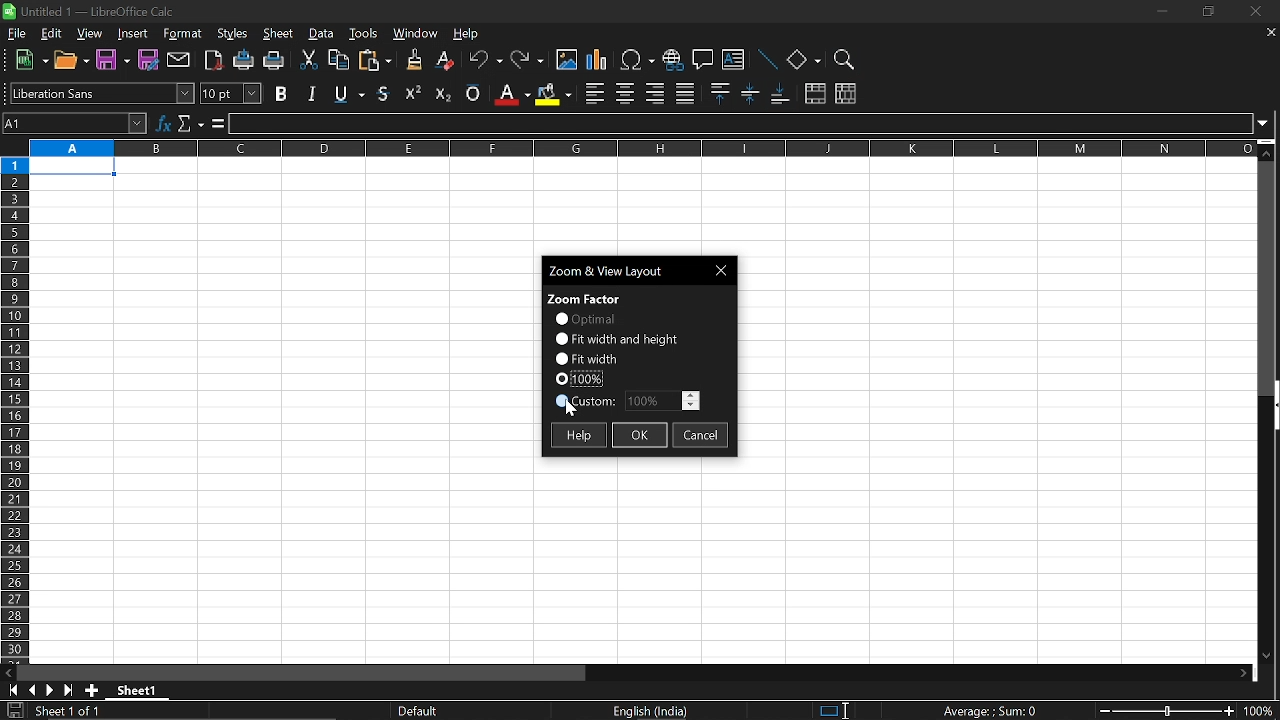 The image size is (1280, 720). Describe the element at coordinates (552, 93) in the screenshot. I see `background color` at that location.